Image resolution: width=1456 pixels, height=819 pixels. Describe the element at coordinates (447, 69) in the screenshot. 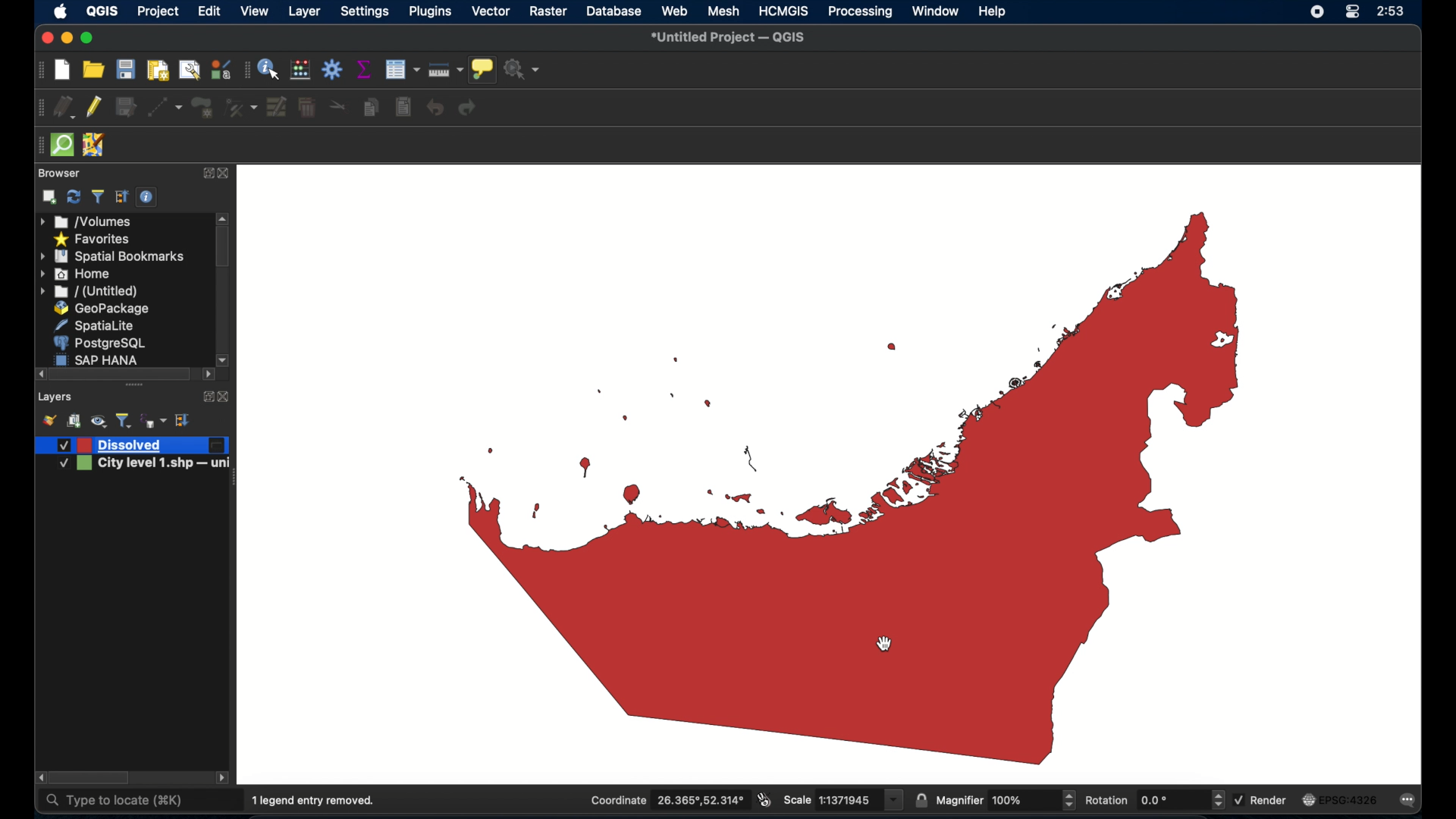

I see `measure line` at that location.